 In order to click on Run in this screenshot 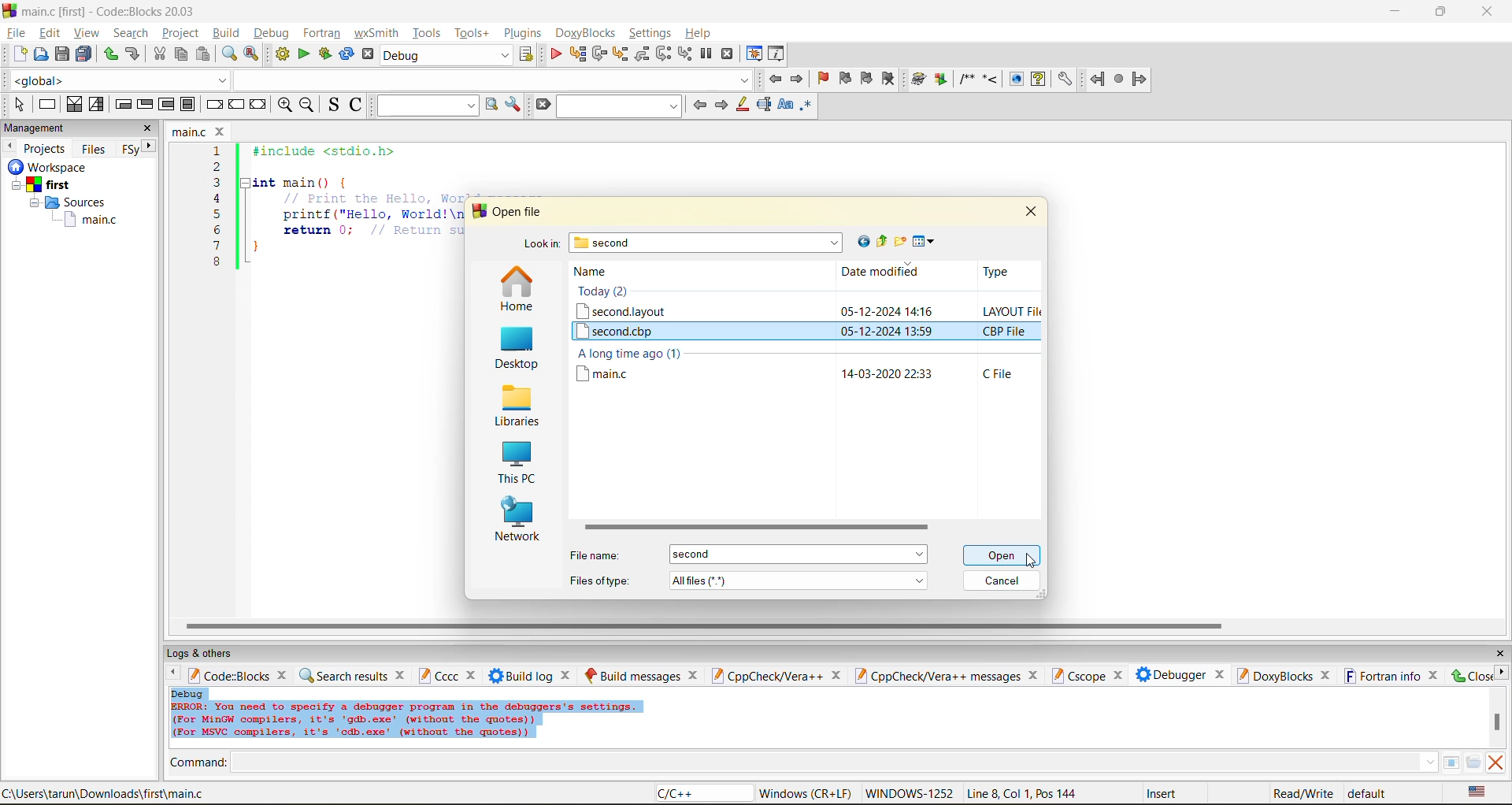, I will do `click(941, 79)`.